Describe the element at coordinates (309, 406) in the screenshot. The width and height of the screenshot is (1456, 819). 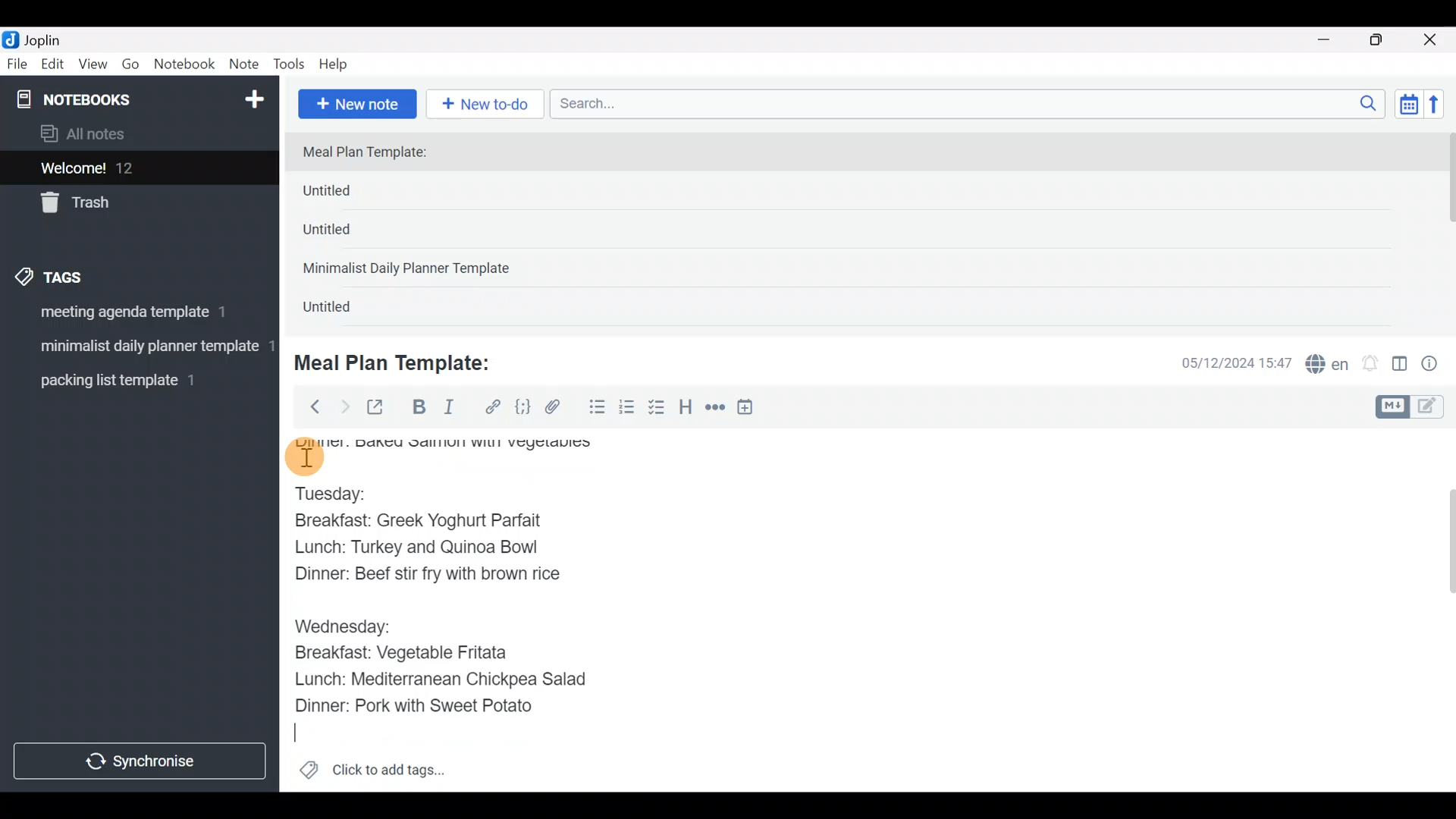
I see `Back` at that location.